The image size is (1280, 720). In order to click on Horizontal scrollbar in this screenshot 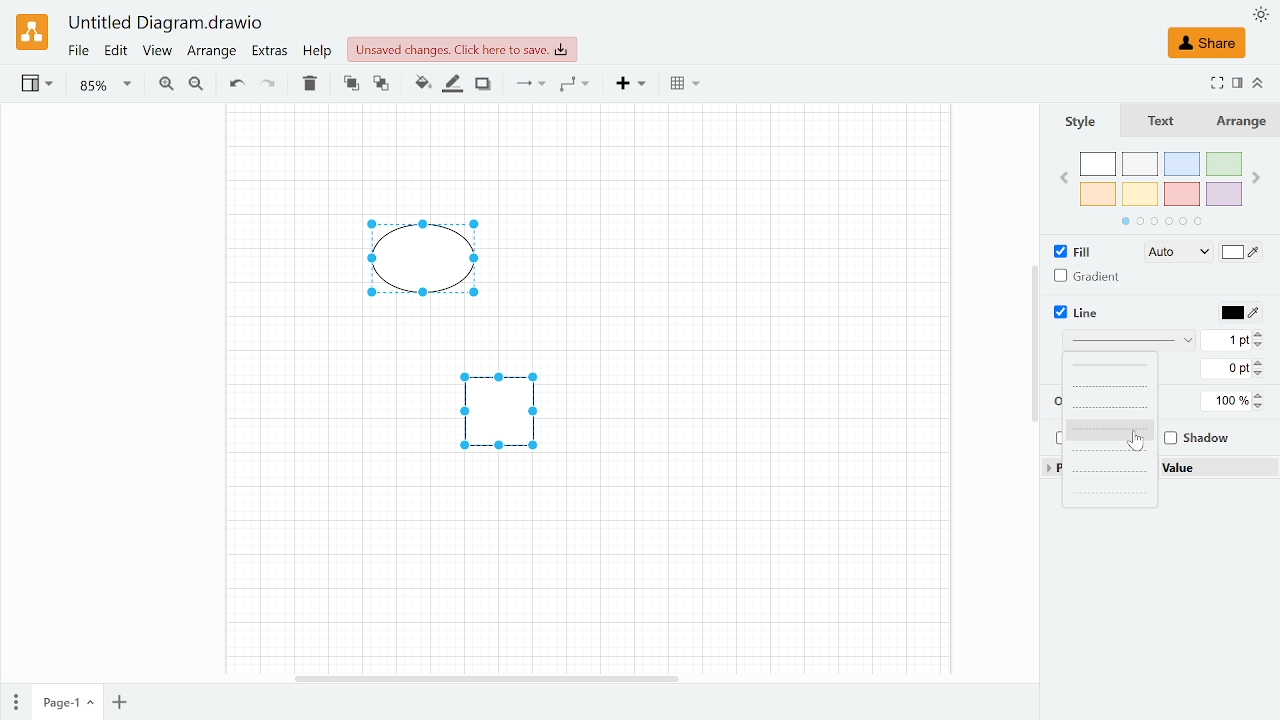, I will do `click(485, 676)`.